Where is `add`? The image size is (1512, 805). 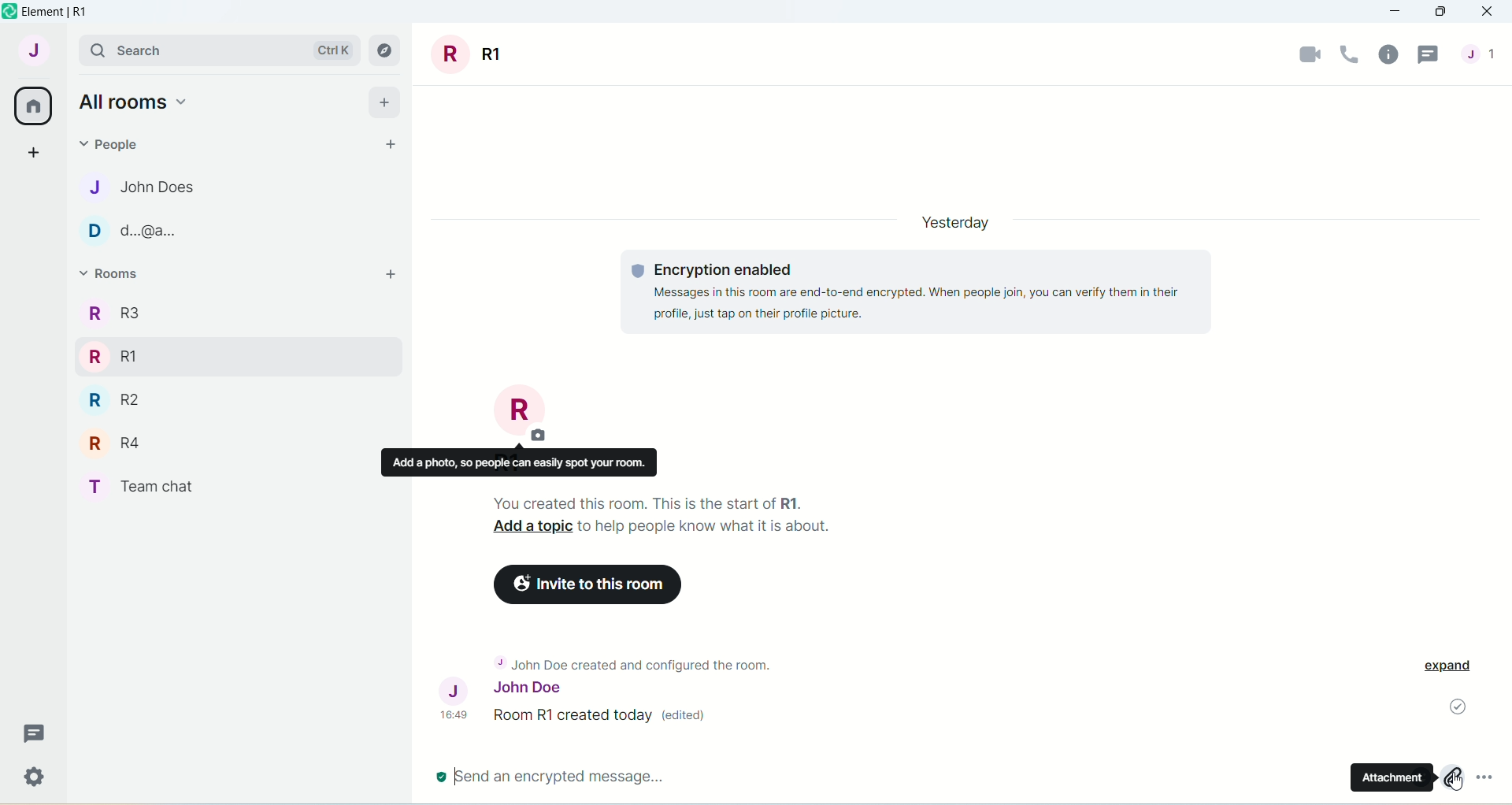
add is located at coordinates (384, 99).